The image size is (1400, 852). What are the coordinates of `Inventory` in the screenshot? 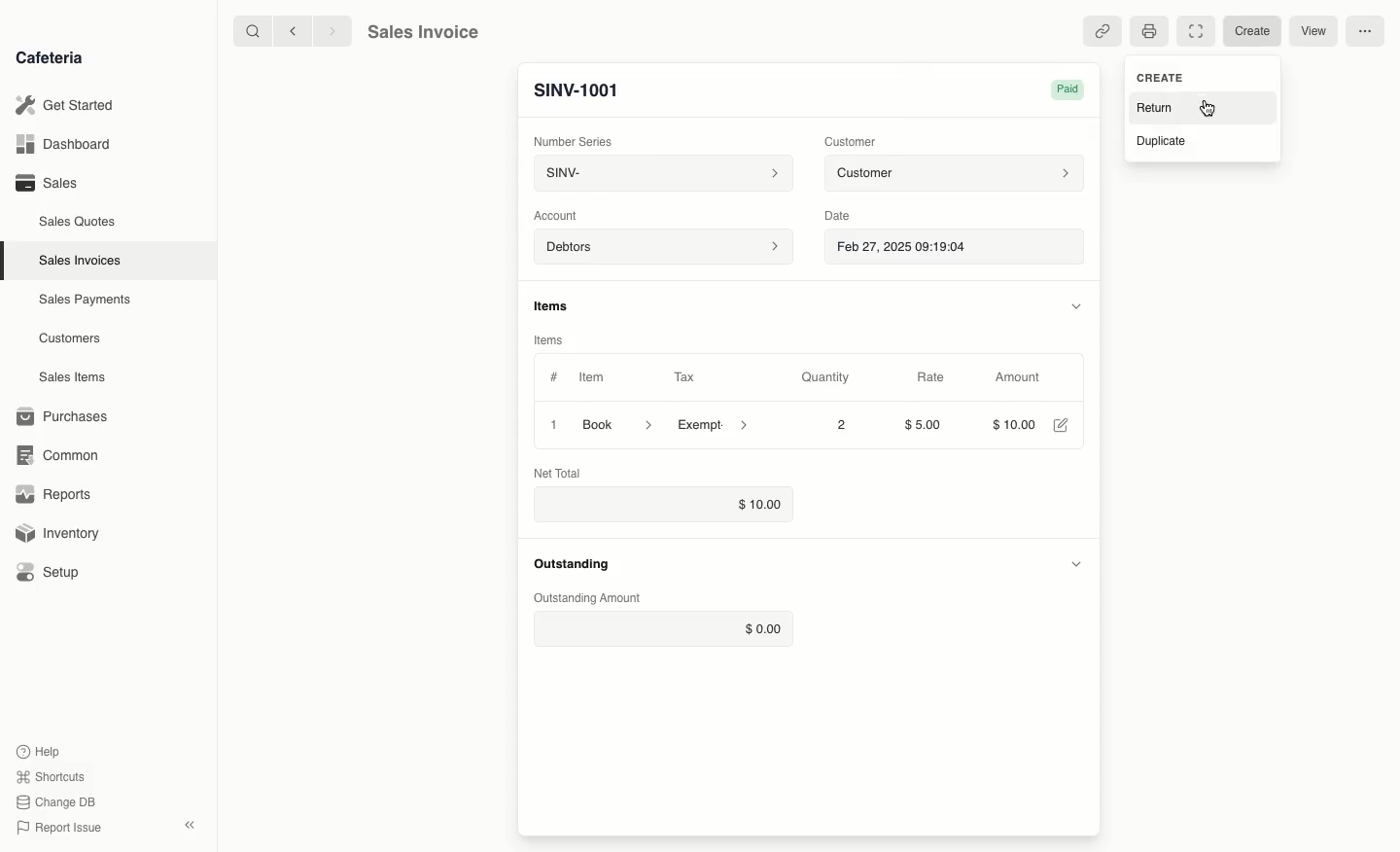 It's located at (59, 536).